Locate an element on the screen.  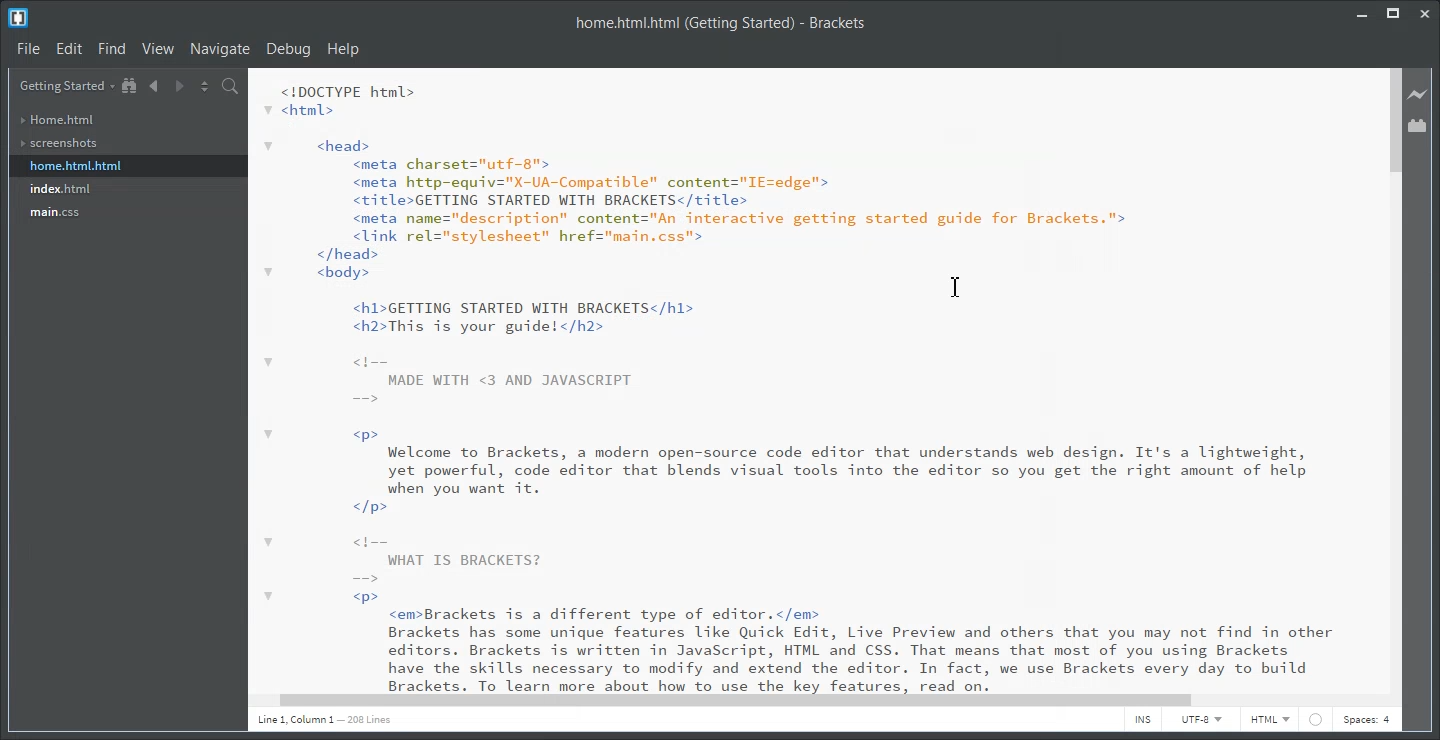
Home.html is located at coordinates (57, 120).